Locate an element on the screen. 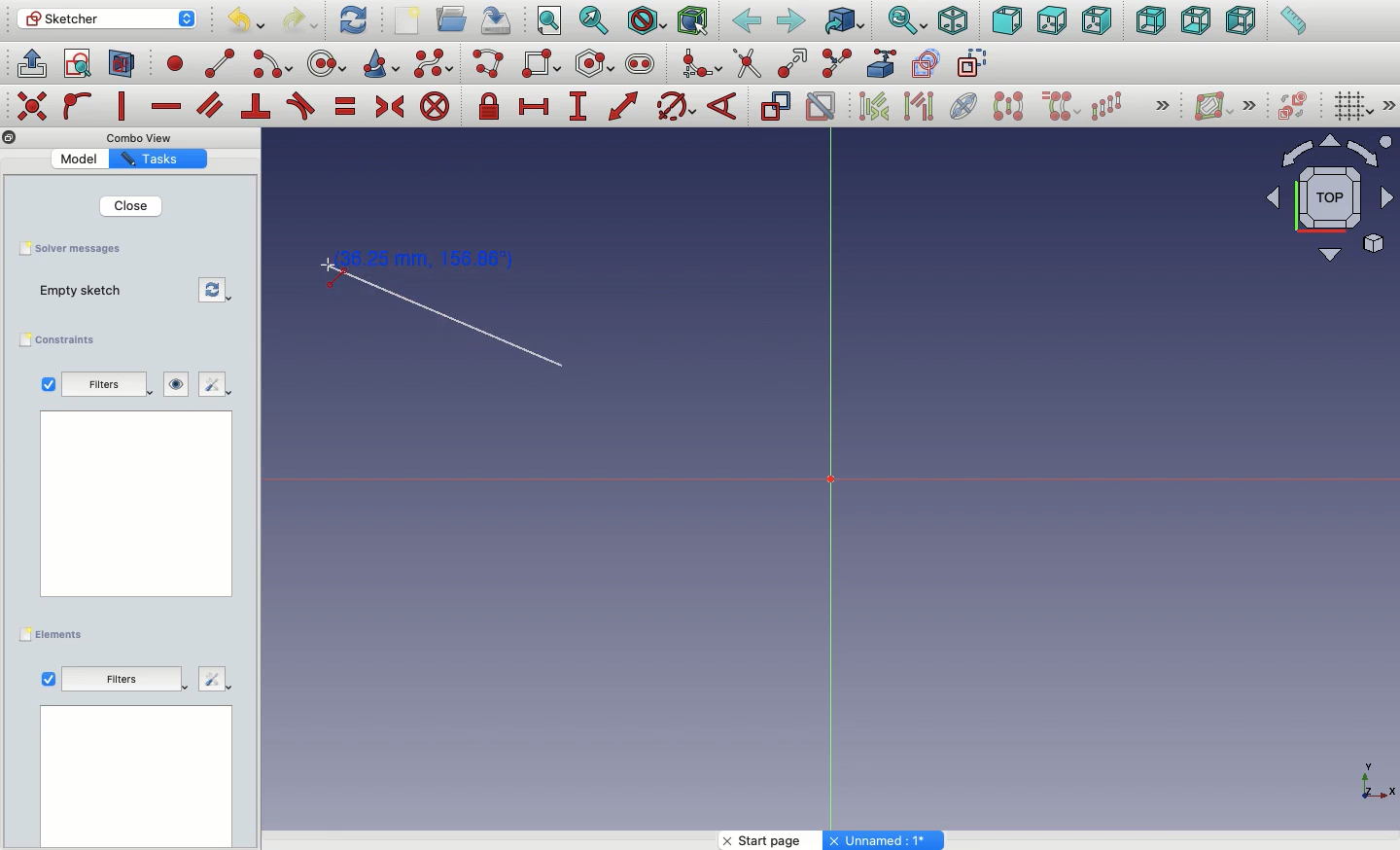  Front is located at coordinates (1006, 20).